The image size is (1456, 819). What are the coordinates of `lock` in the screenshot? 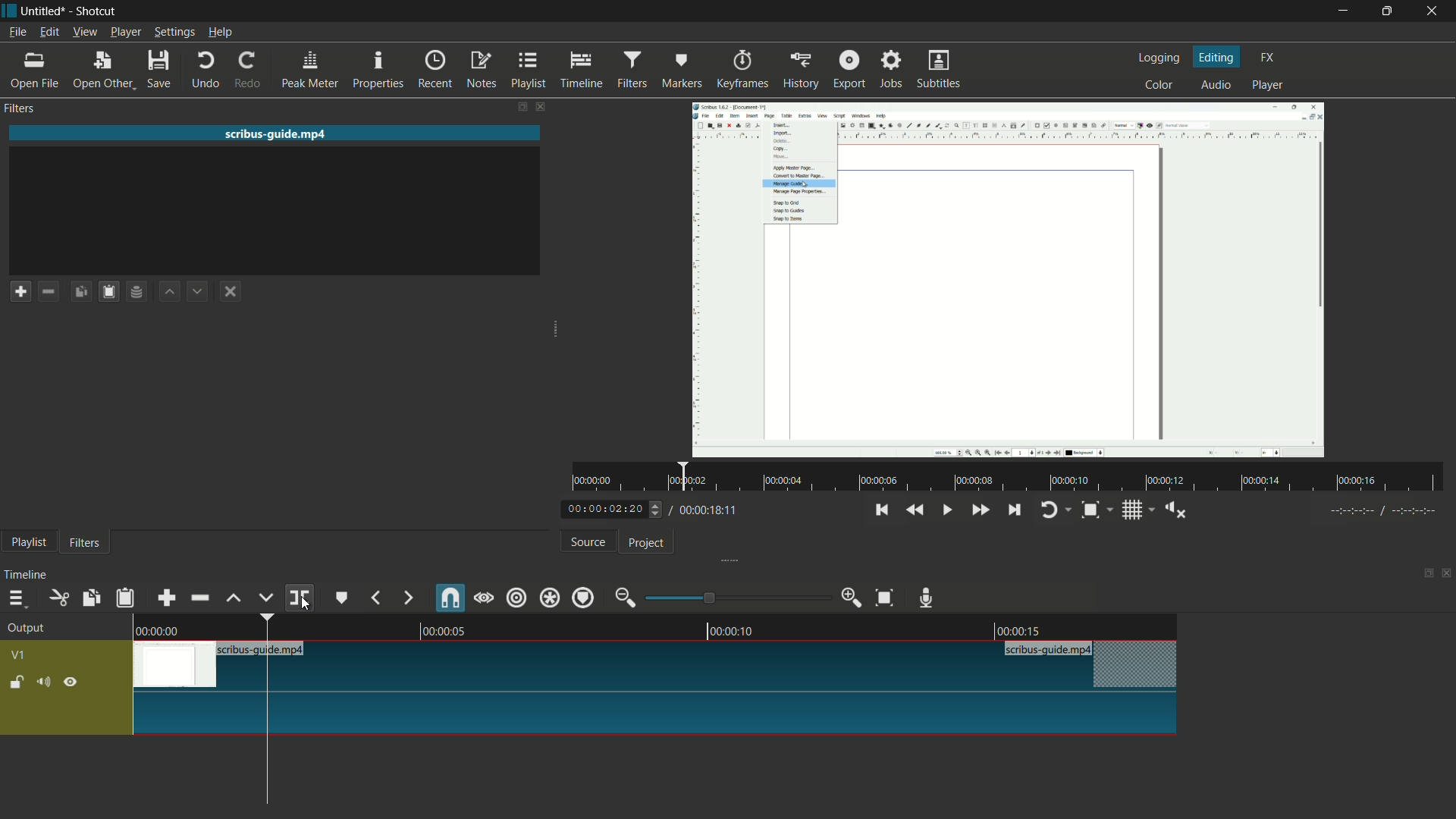 It's located at (16, 683).